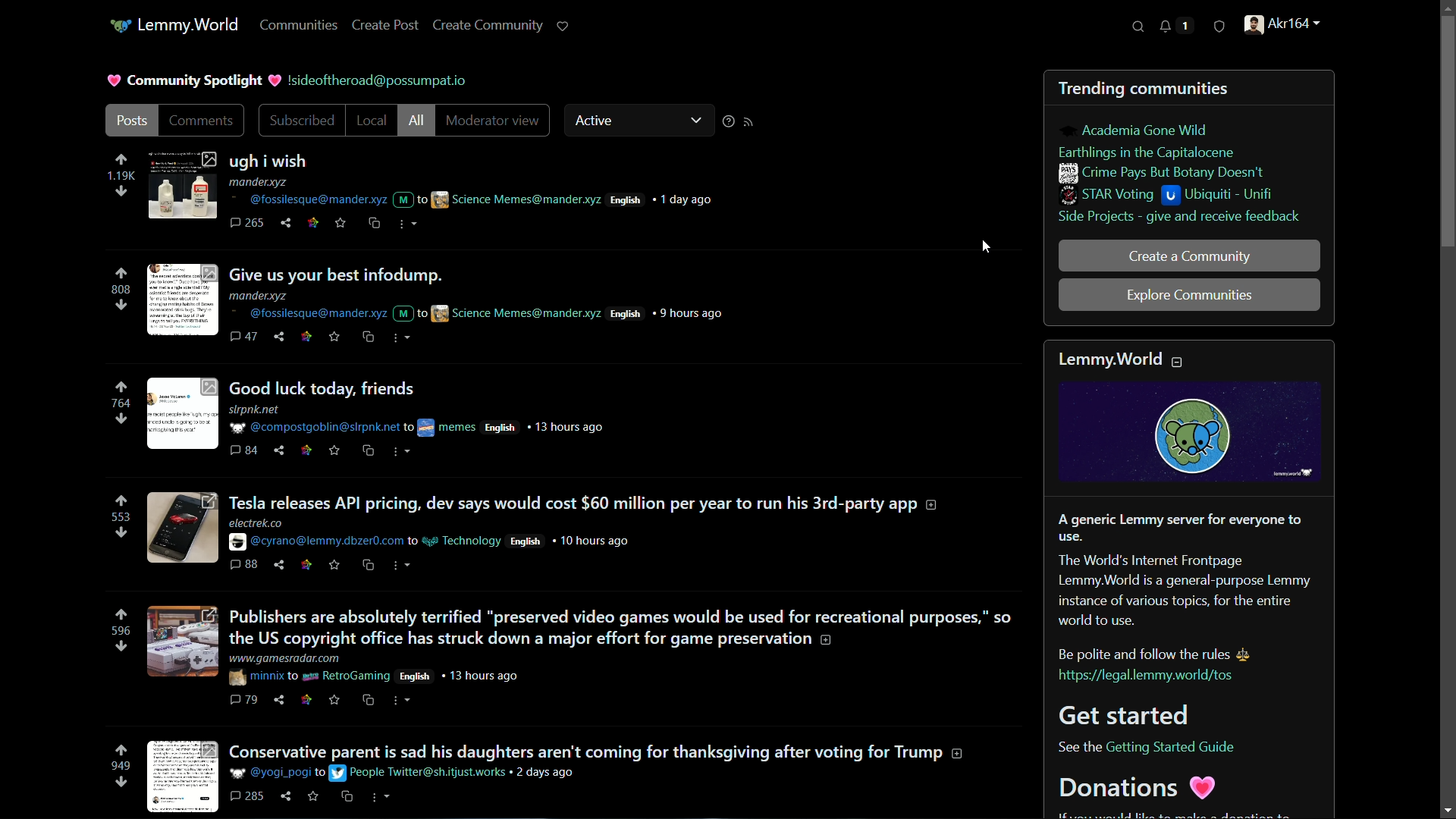  I want to click on 1.19k, so click(120, 177).